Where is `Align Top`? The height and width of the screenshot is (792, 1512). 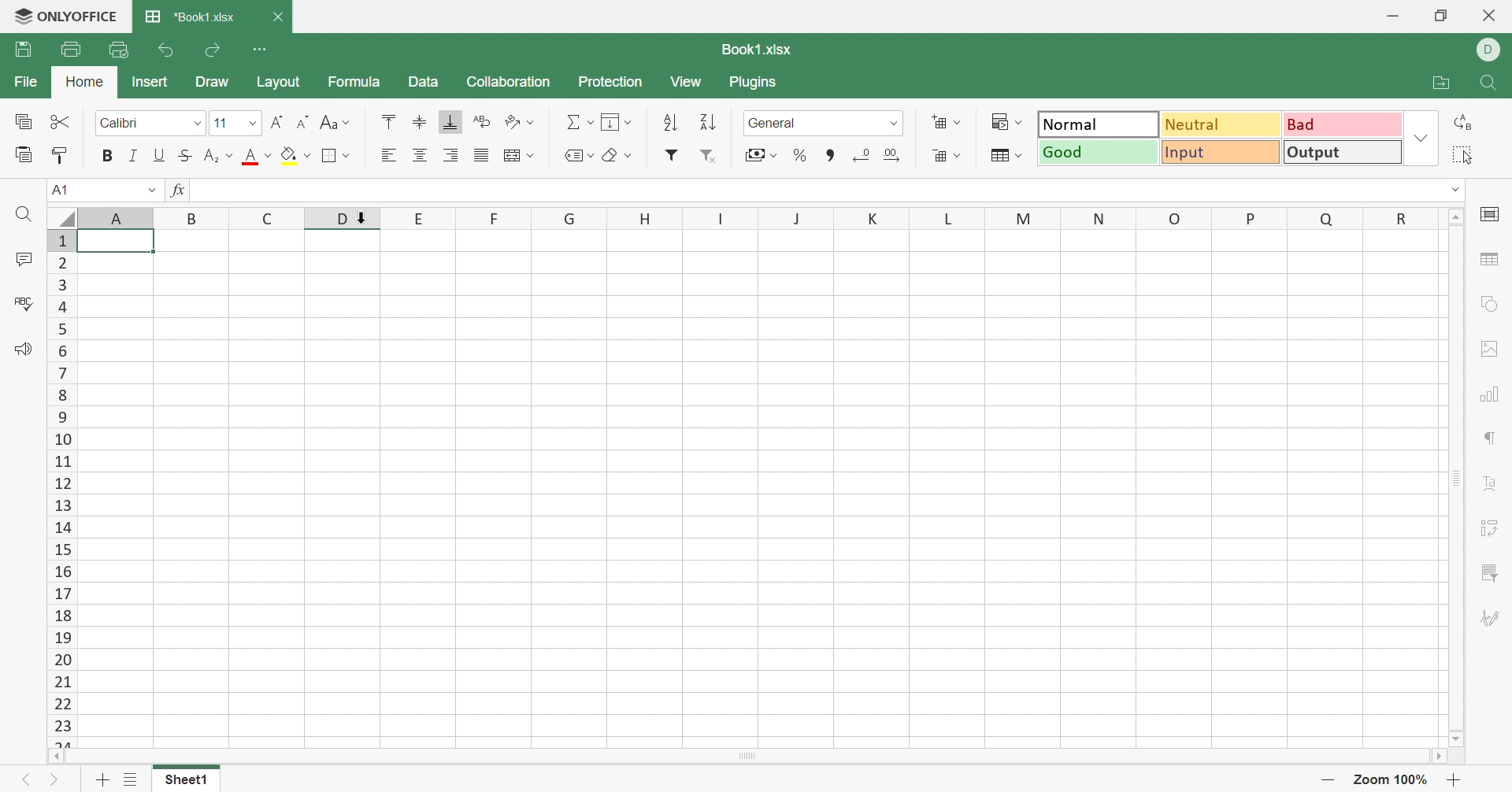
Align Top is located at coordinates (388, 121).